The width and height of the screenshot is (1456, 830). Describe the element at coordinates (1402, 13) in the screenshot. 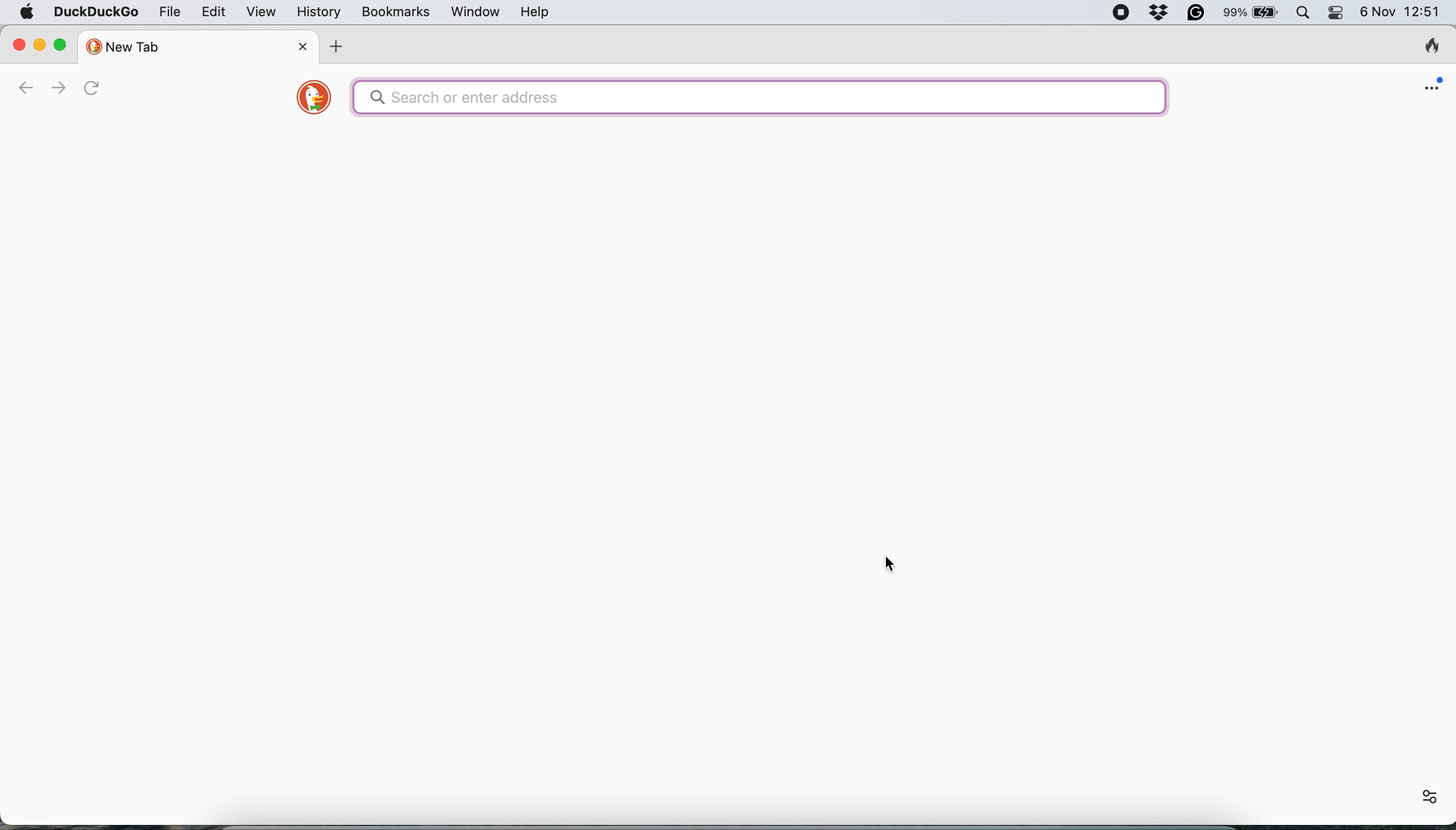

I see `6 Nov 12:51` at that location.